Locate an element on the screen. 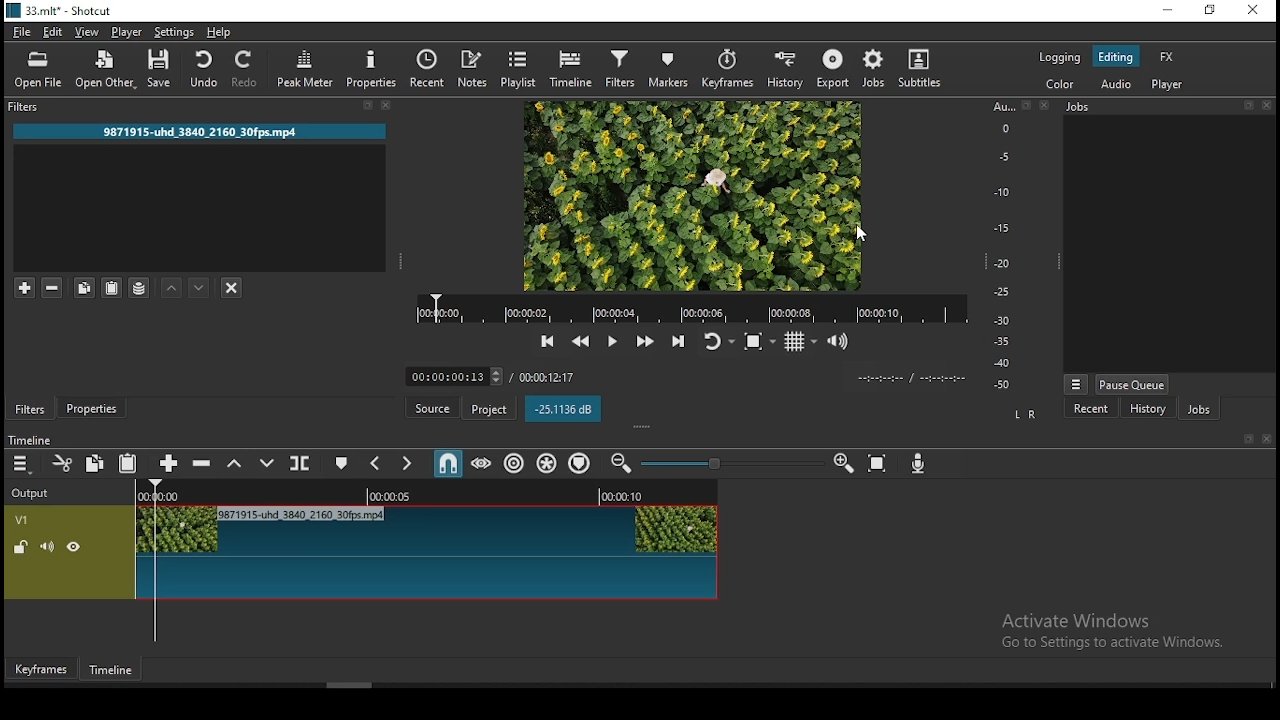  settings is located at coordinates (172, 32).